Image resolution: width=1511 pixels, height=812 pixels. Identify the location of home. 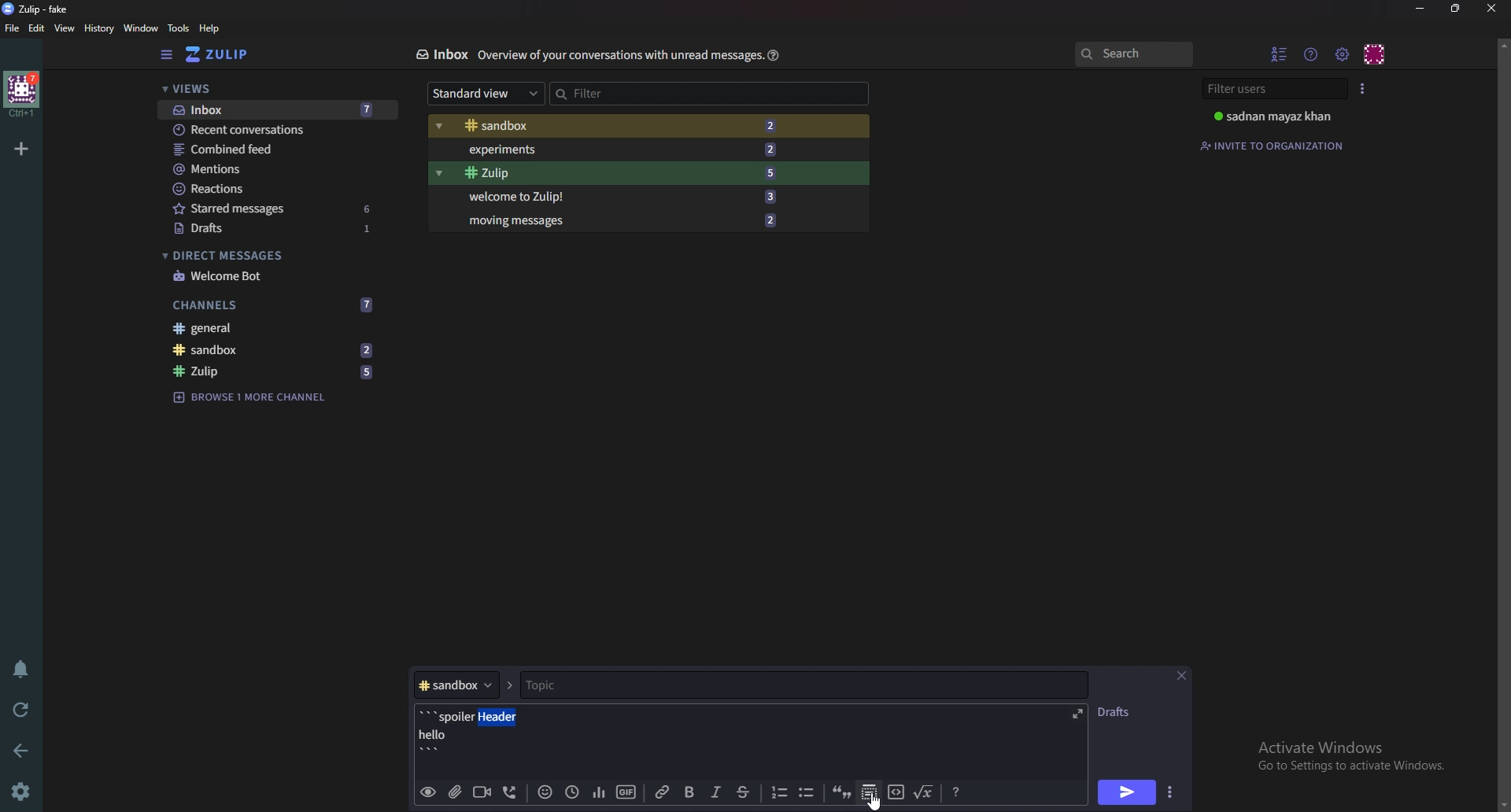
(23, 95).